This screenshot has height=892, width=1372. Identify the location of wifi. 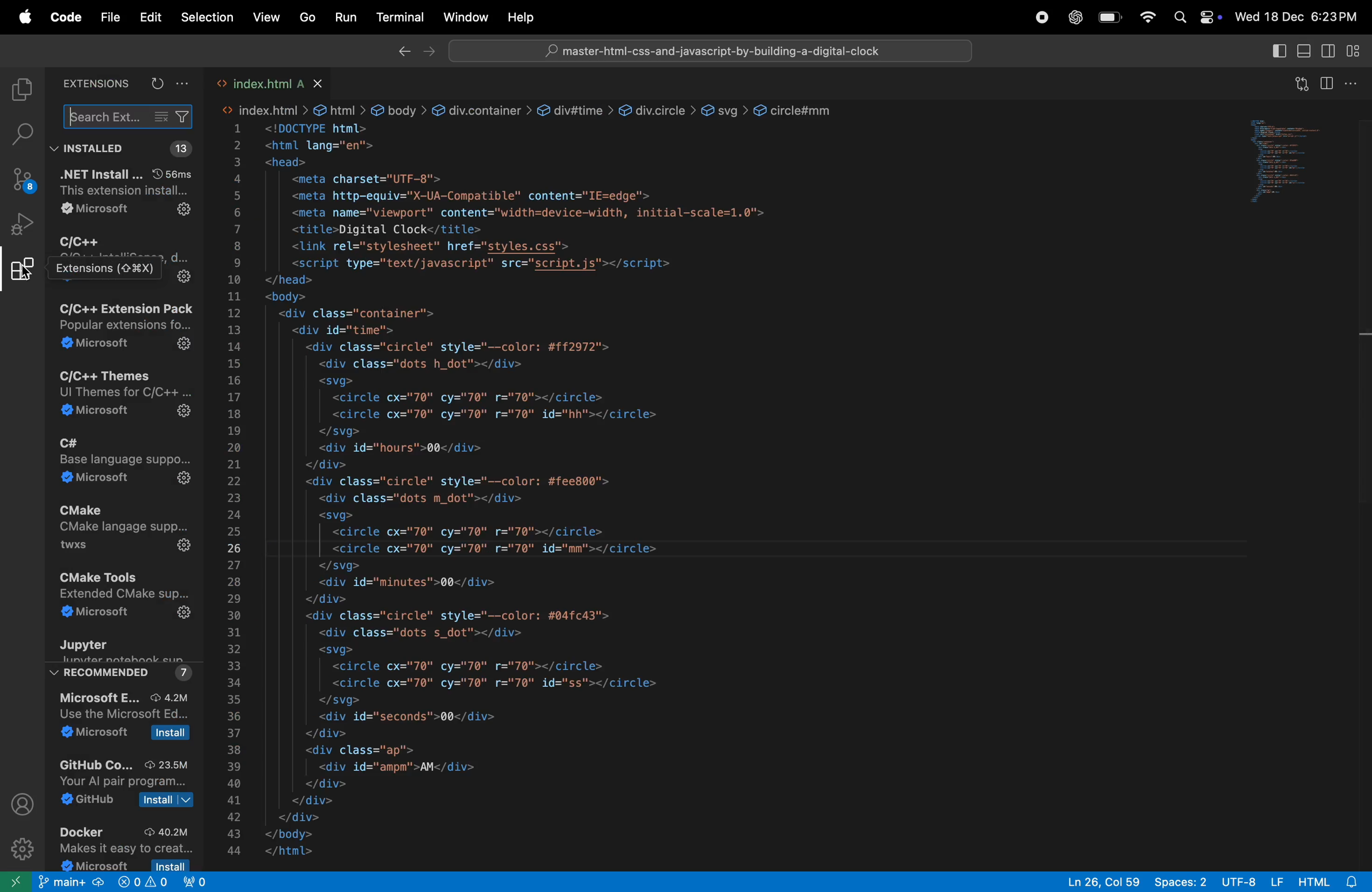
(1147, 18).